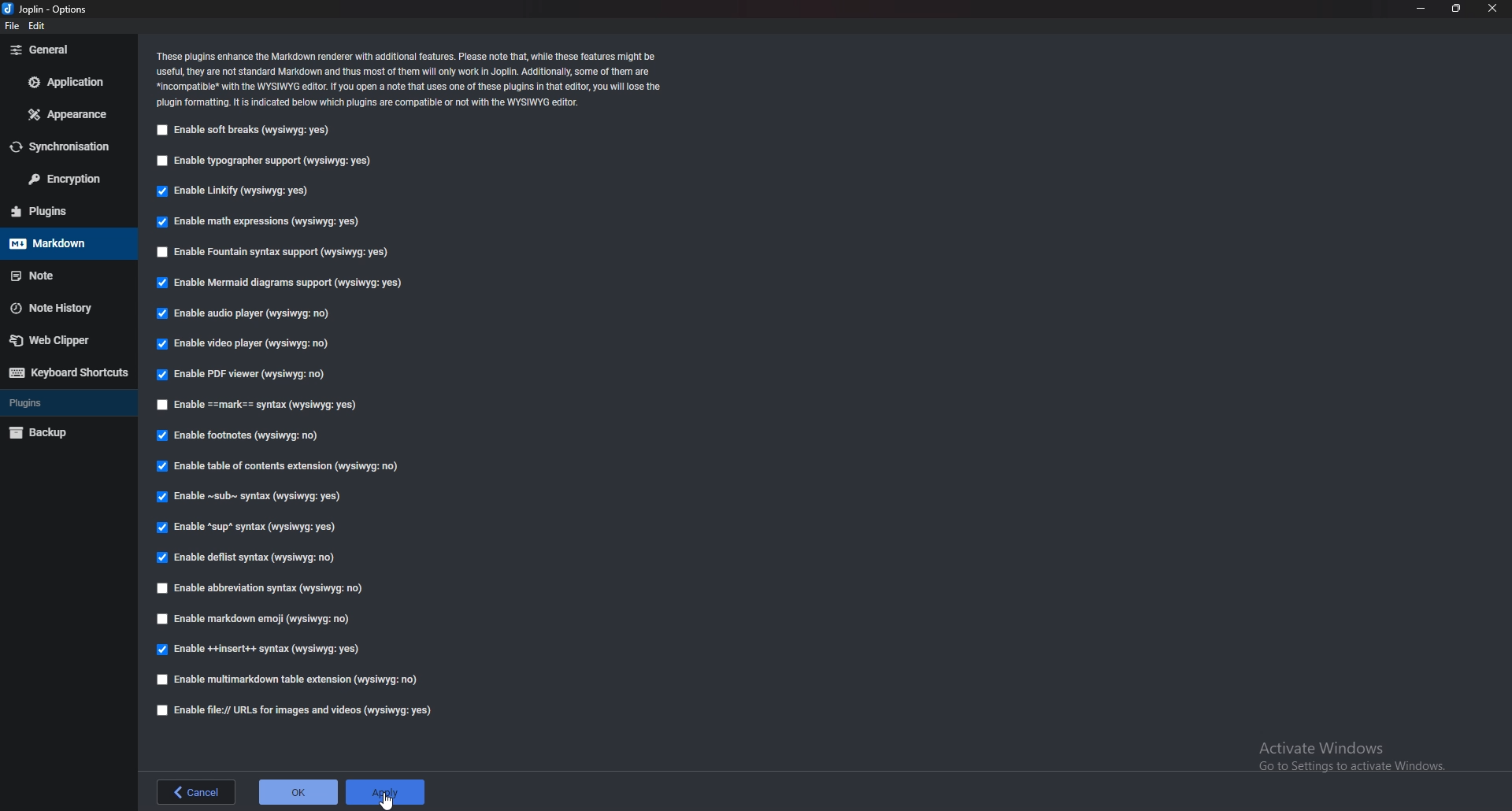  Describe the element at coordinates (280, 283) in the screenshot. I see `enable mermaid diagram support` at that location.